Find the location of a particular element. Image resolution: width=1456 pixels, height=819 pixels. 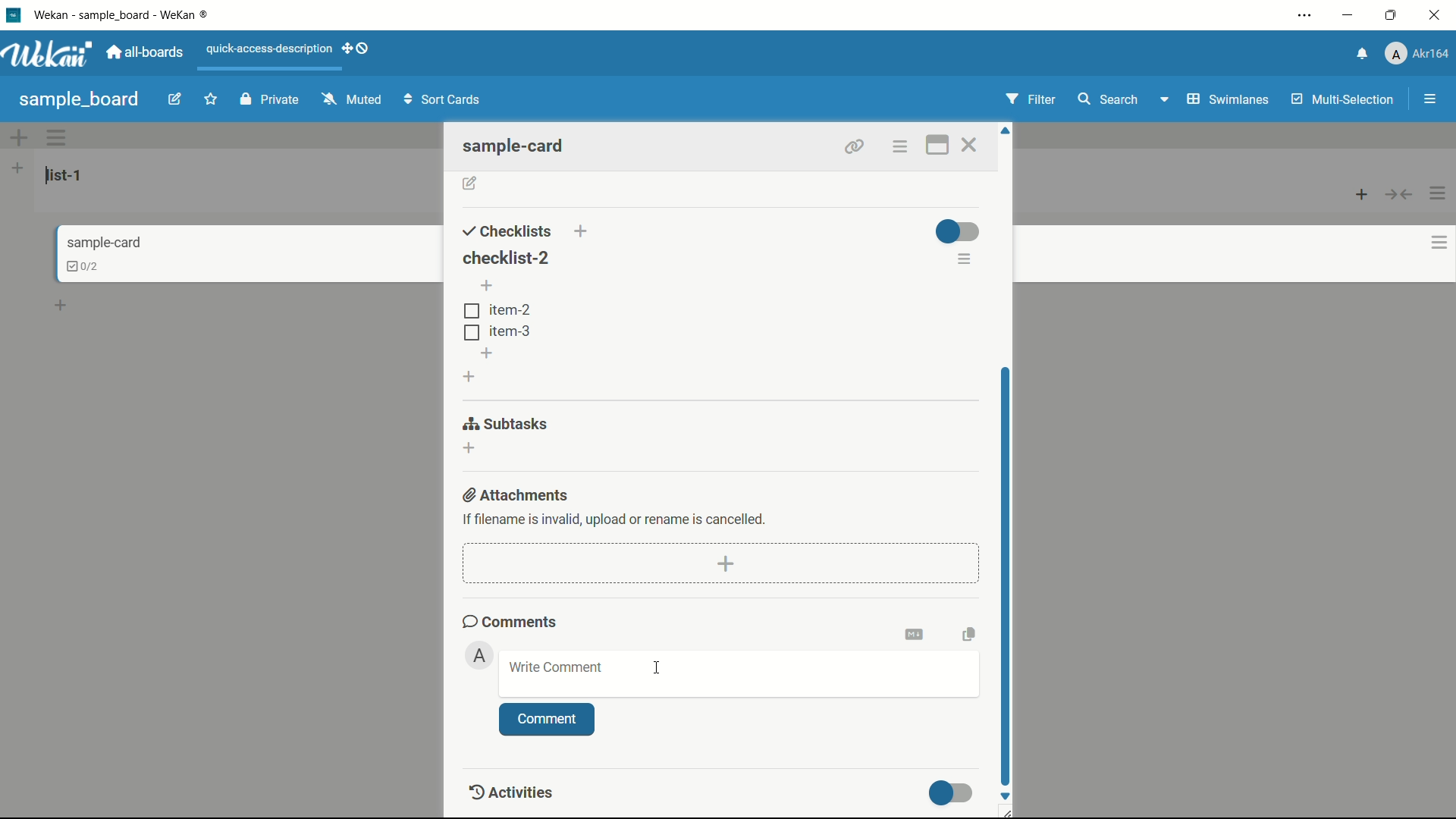

cursor is located at coordinates (657, 667).